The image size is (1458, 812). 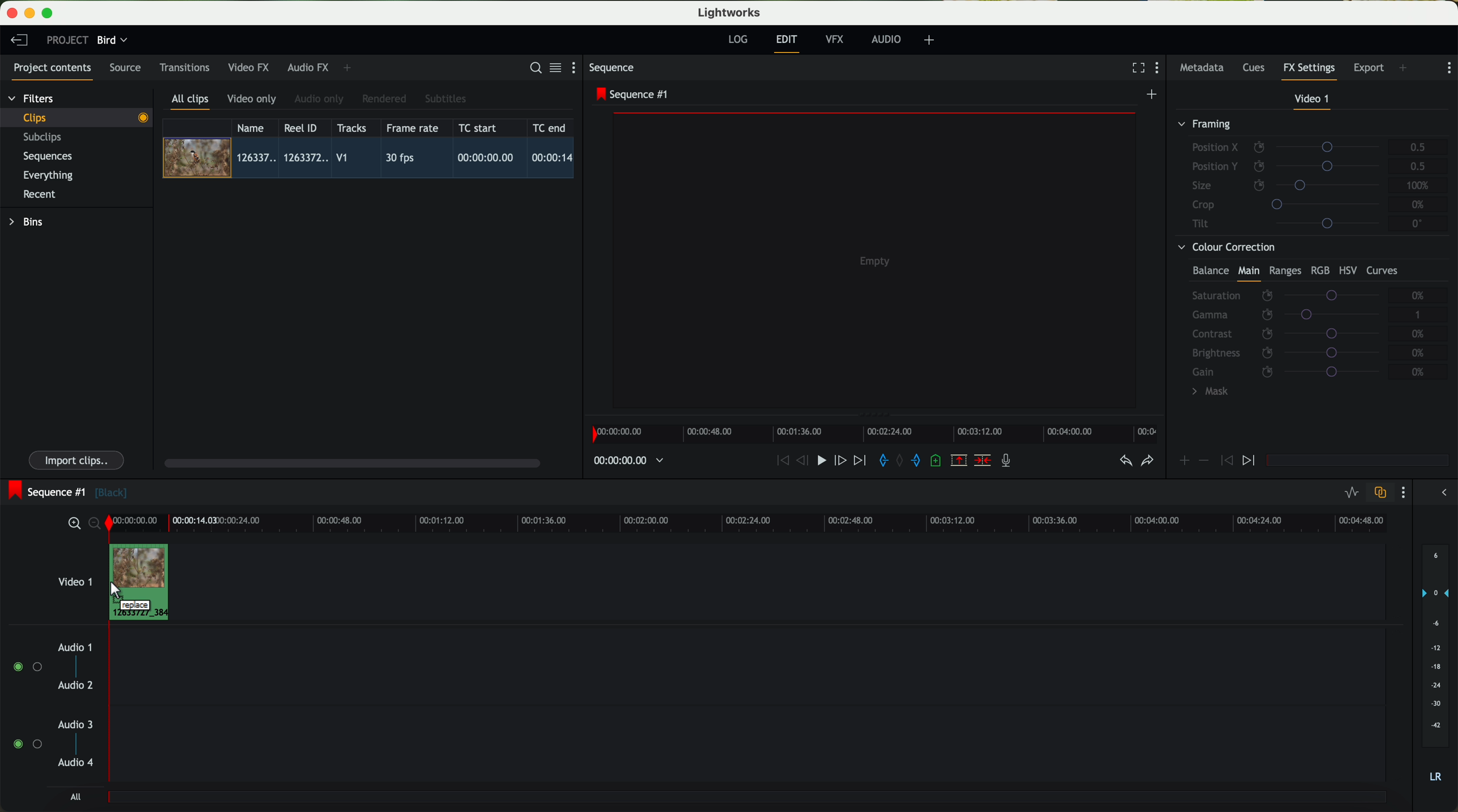 What do you see at coordinates (1402, 492) in the screenshot?
I see `show settings menu` at bounding box center [1402, 492].